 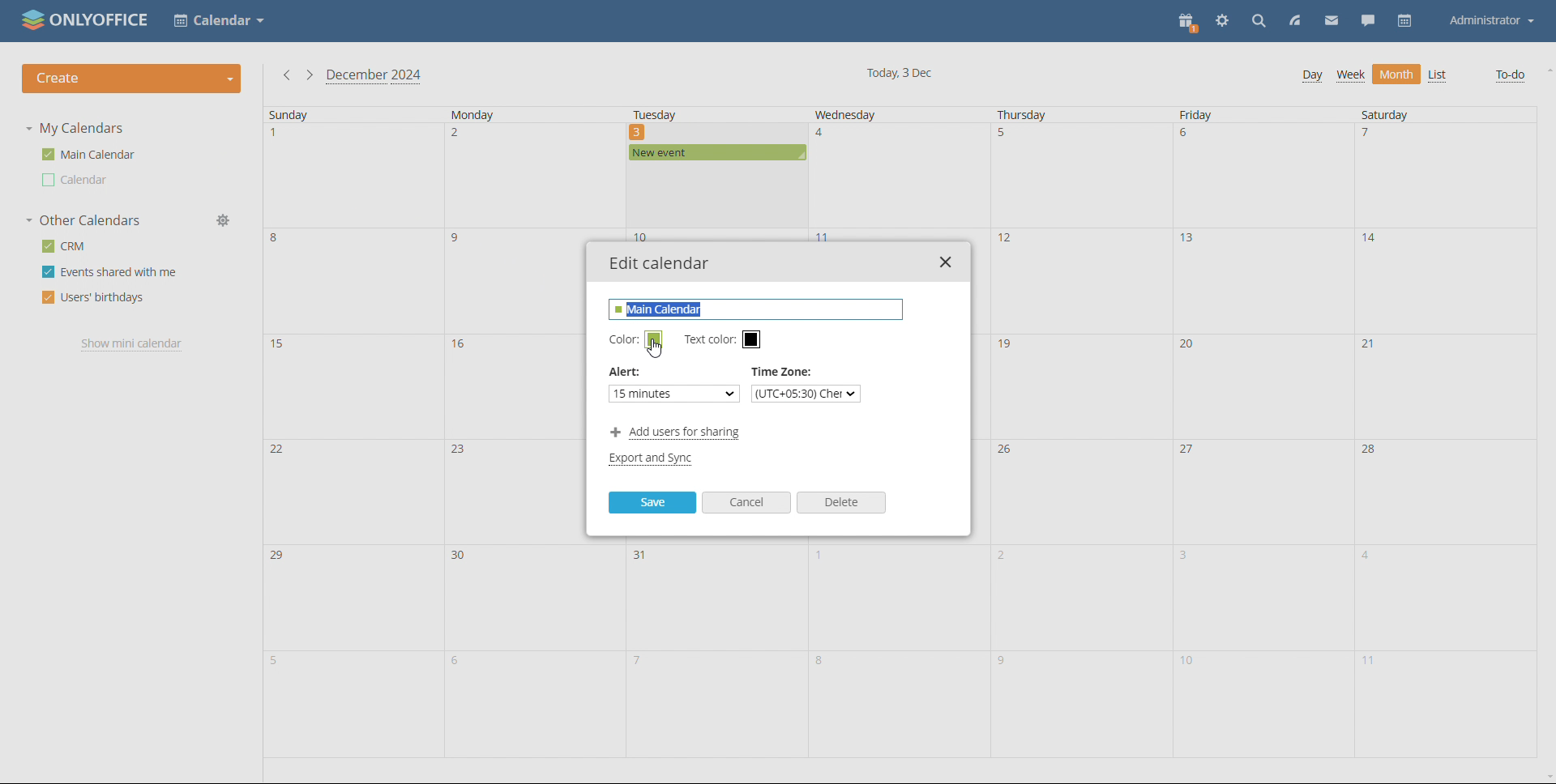 What do you see at coordinates (349, 595) in the screenshot?
I see `date` at bounding box center [349, 595].